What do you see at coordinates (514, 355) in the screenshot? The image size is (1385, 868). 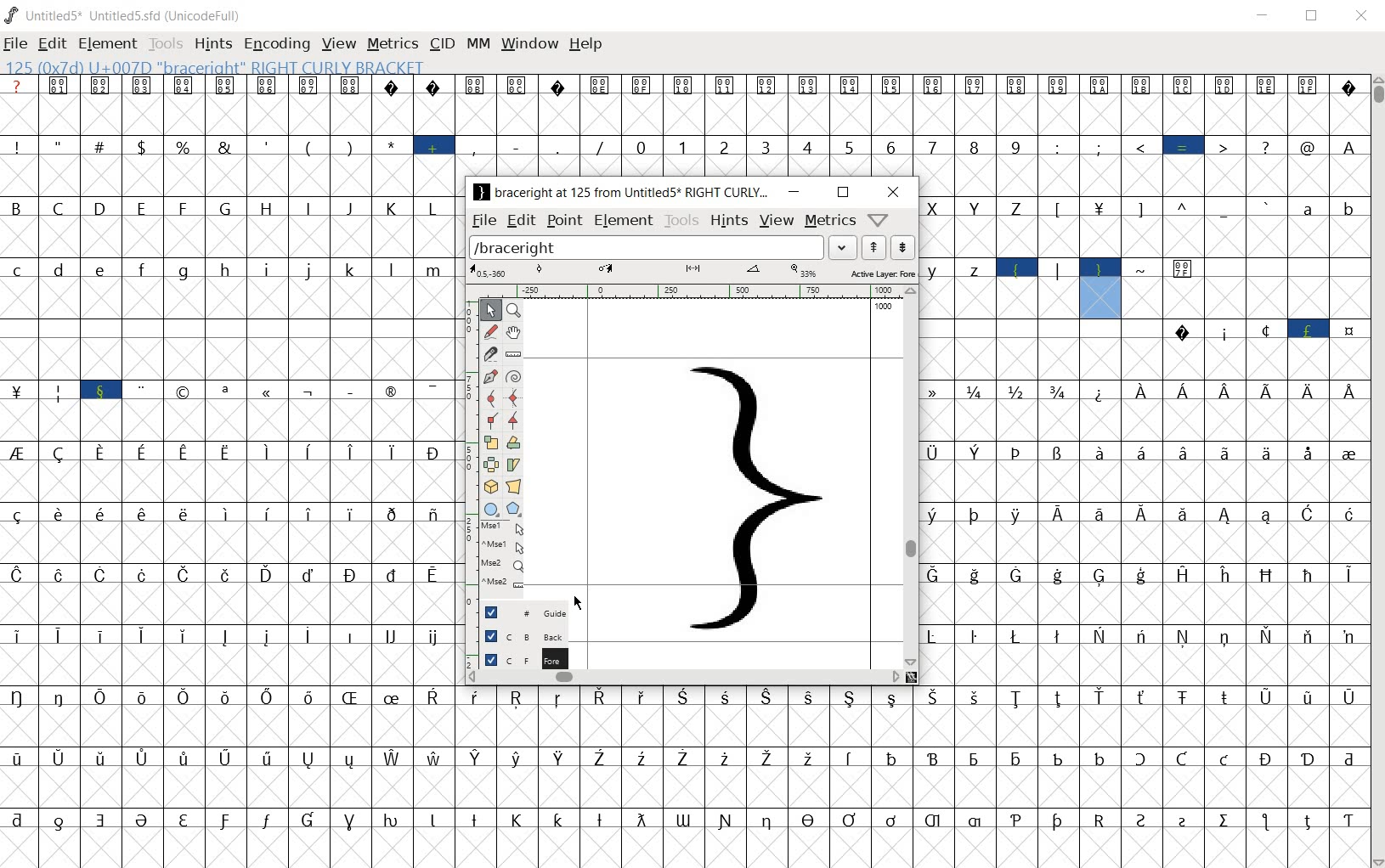 I see `measure a distance, angle between points` at bounding box center [514, 355].